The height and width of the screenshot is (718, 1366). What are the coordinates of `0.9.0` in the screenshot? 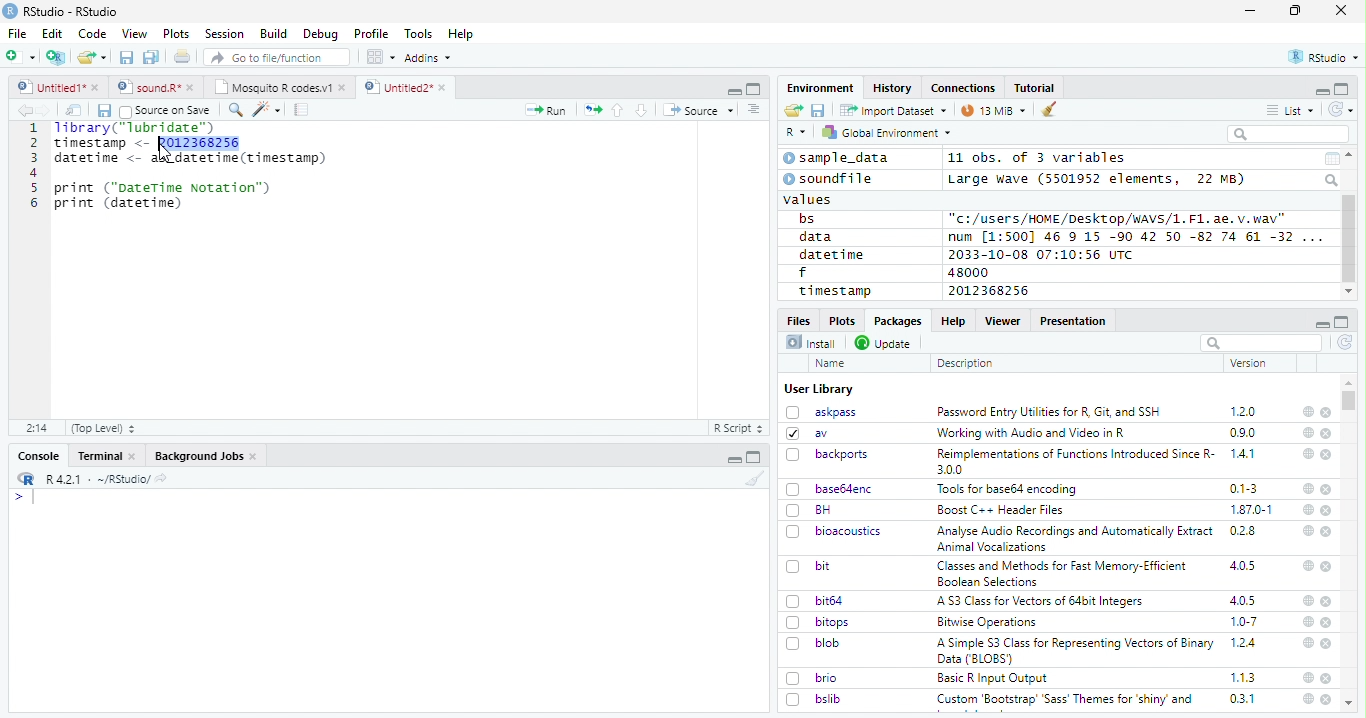 It's located at (1243, 433).